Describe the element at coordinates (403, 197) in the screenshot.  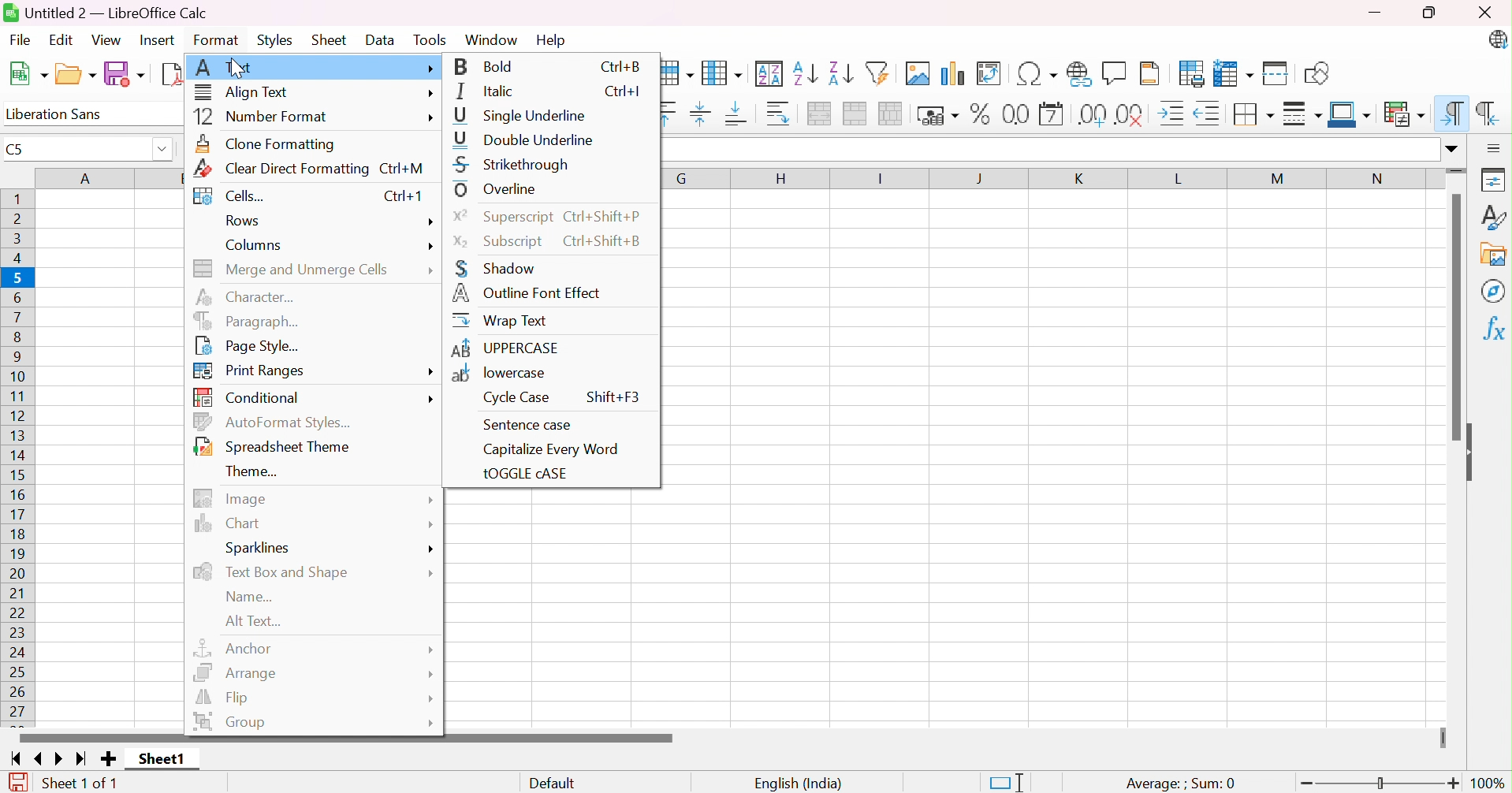
I see `Ctrl+1` at that location.